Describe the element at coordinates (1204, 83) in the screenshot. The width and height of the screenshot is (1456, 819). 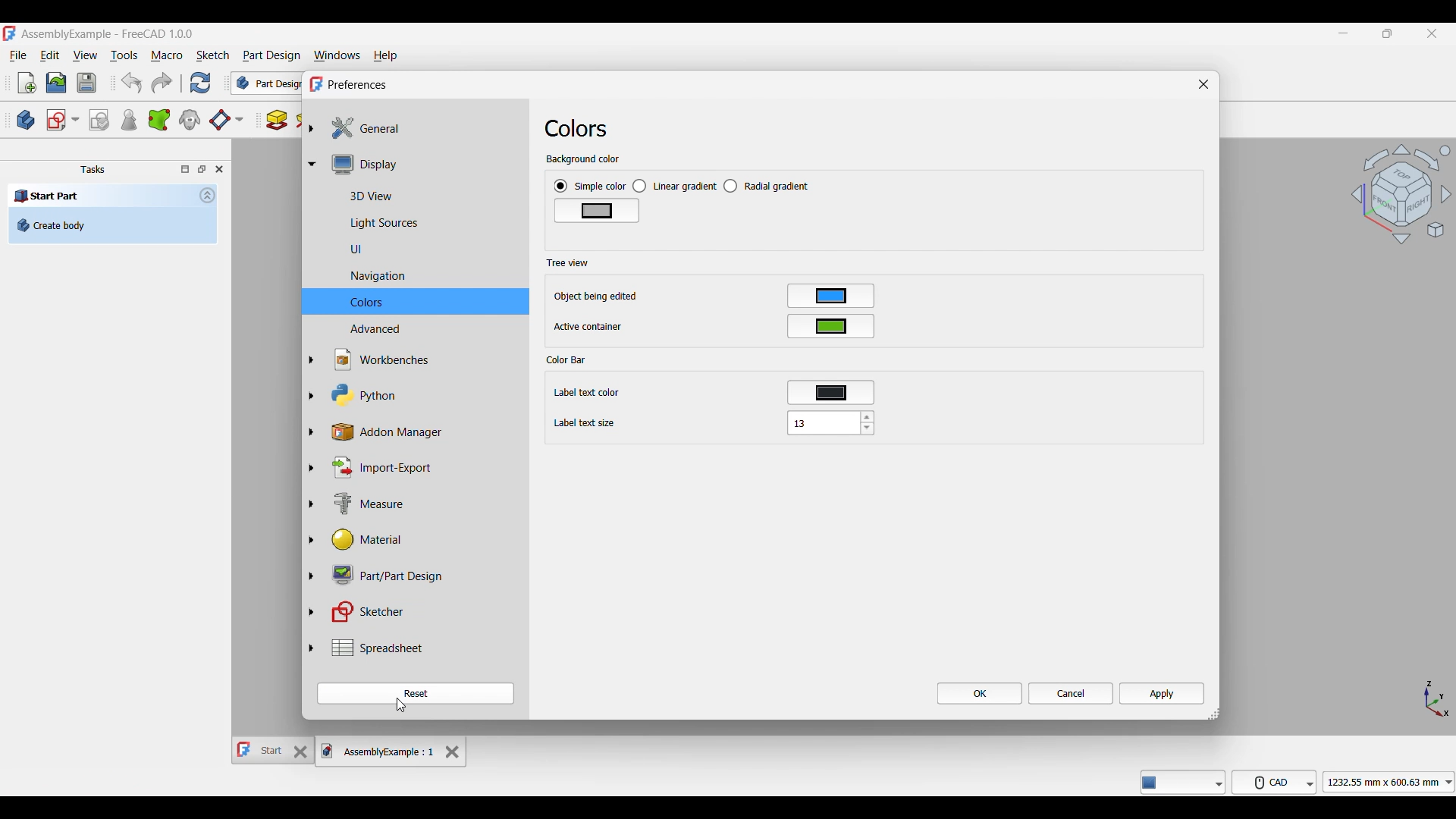
I see `Close` at that location.